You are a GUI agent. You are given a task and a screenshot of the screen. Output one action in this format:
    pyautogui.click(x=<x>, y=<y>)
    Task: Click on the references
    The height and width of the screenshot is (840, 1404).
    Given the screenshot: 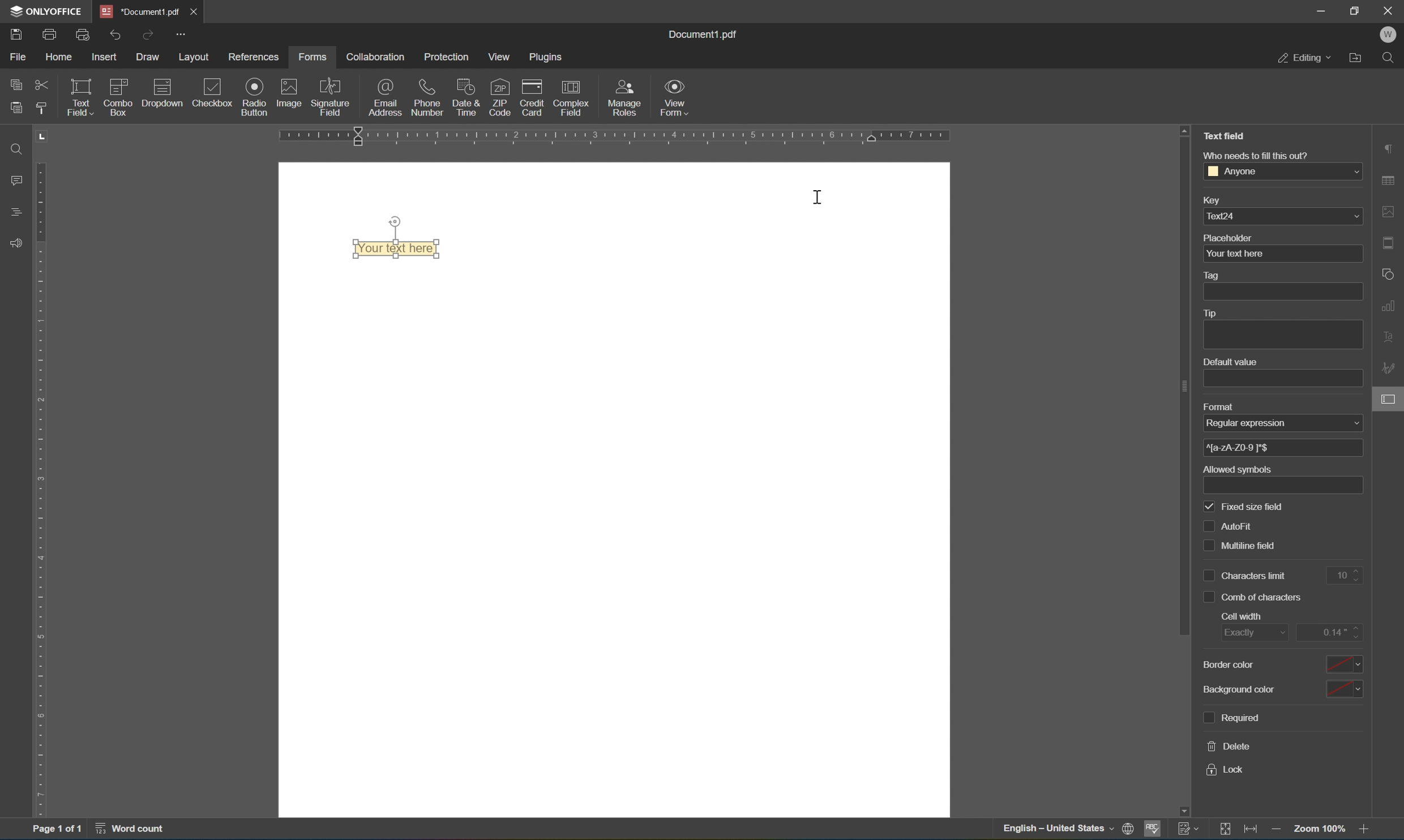 What is the action you would take?
    pyautogui.click(x=256, y=57)
    